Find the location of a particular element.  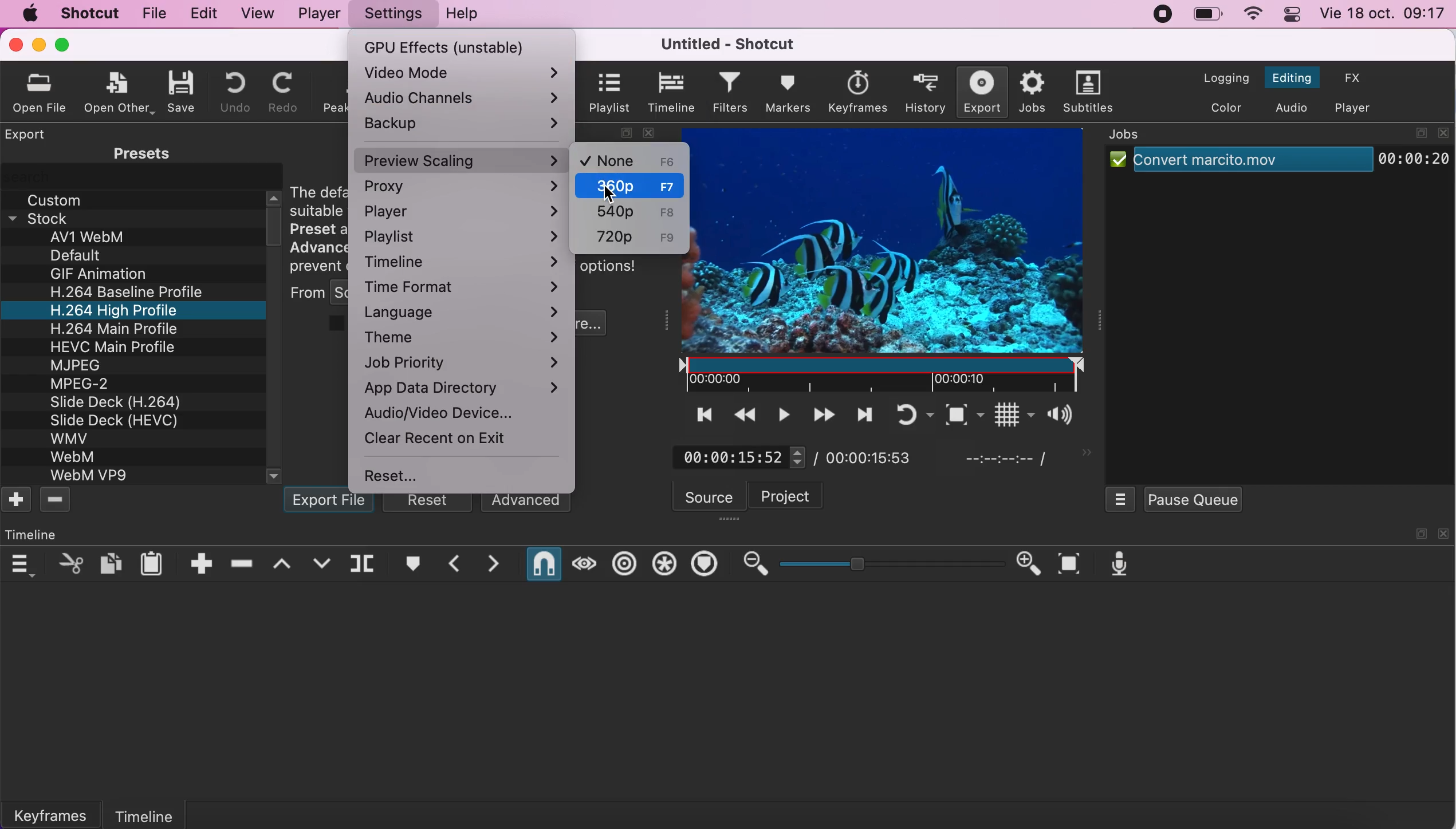

MPEG-2 is located at coordinates (86, 385).